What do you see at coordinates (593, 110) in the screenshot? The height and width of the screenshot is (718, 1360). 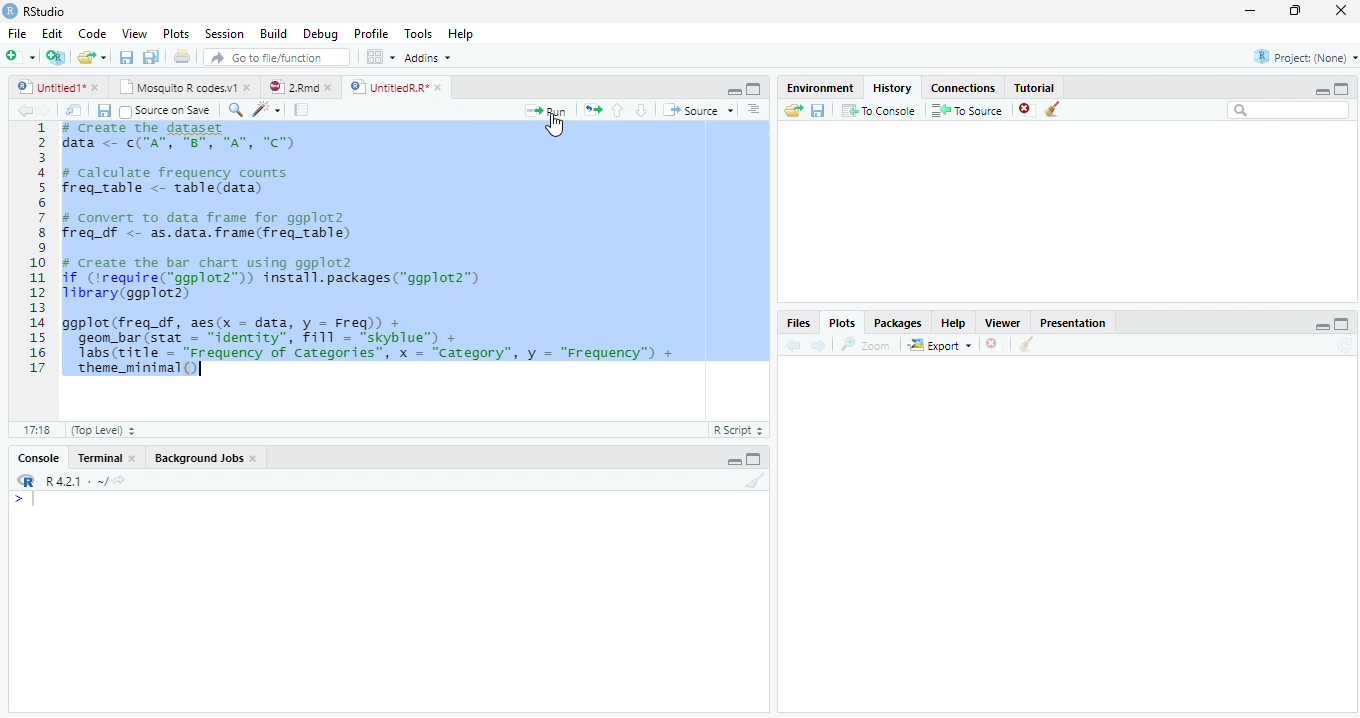 I see `Pages` at bounding box center [593, 110].